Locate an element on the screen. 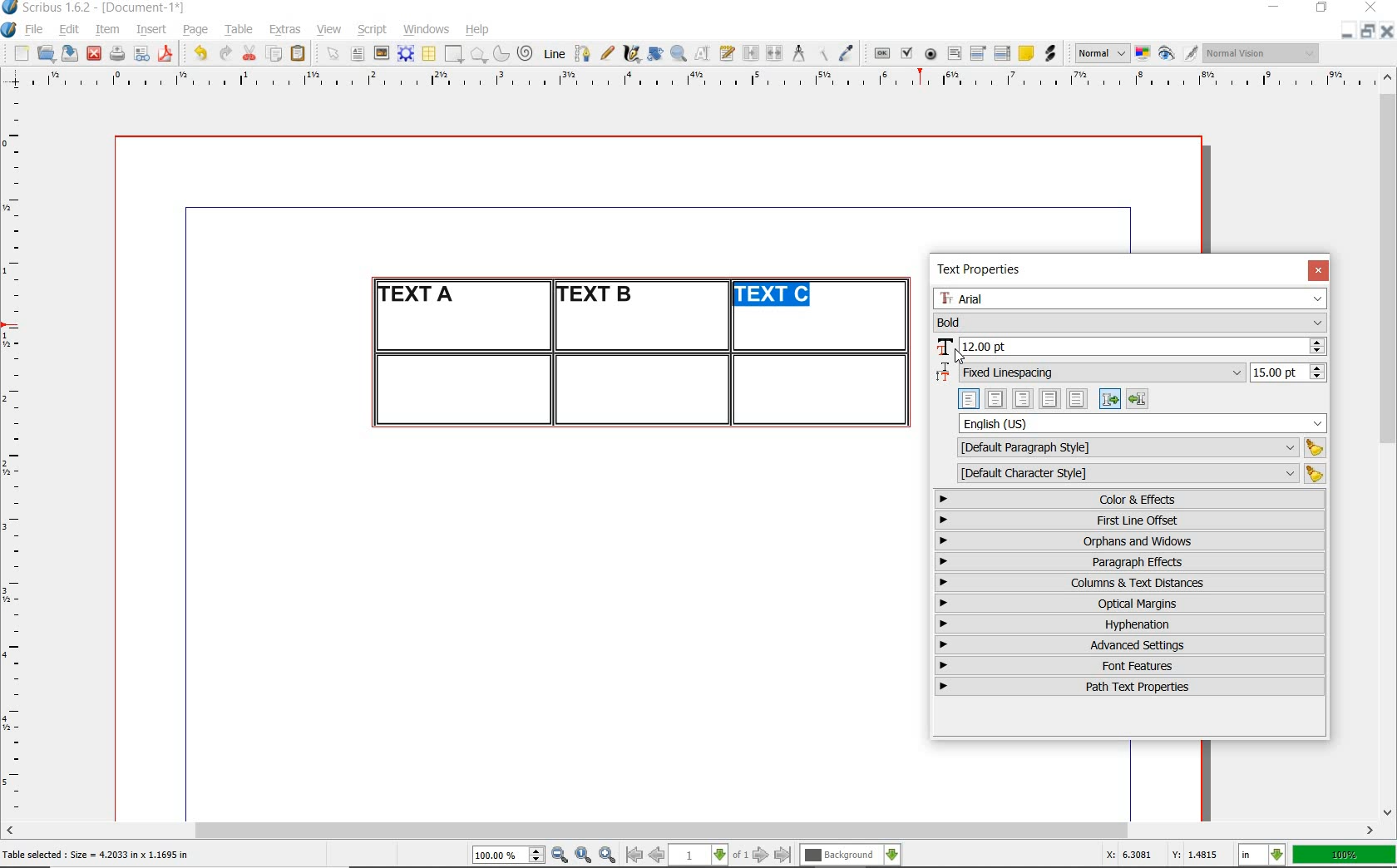 This screenshot has width=1397, height=868. path text properties is located at coordinates (1128, 687).